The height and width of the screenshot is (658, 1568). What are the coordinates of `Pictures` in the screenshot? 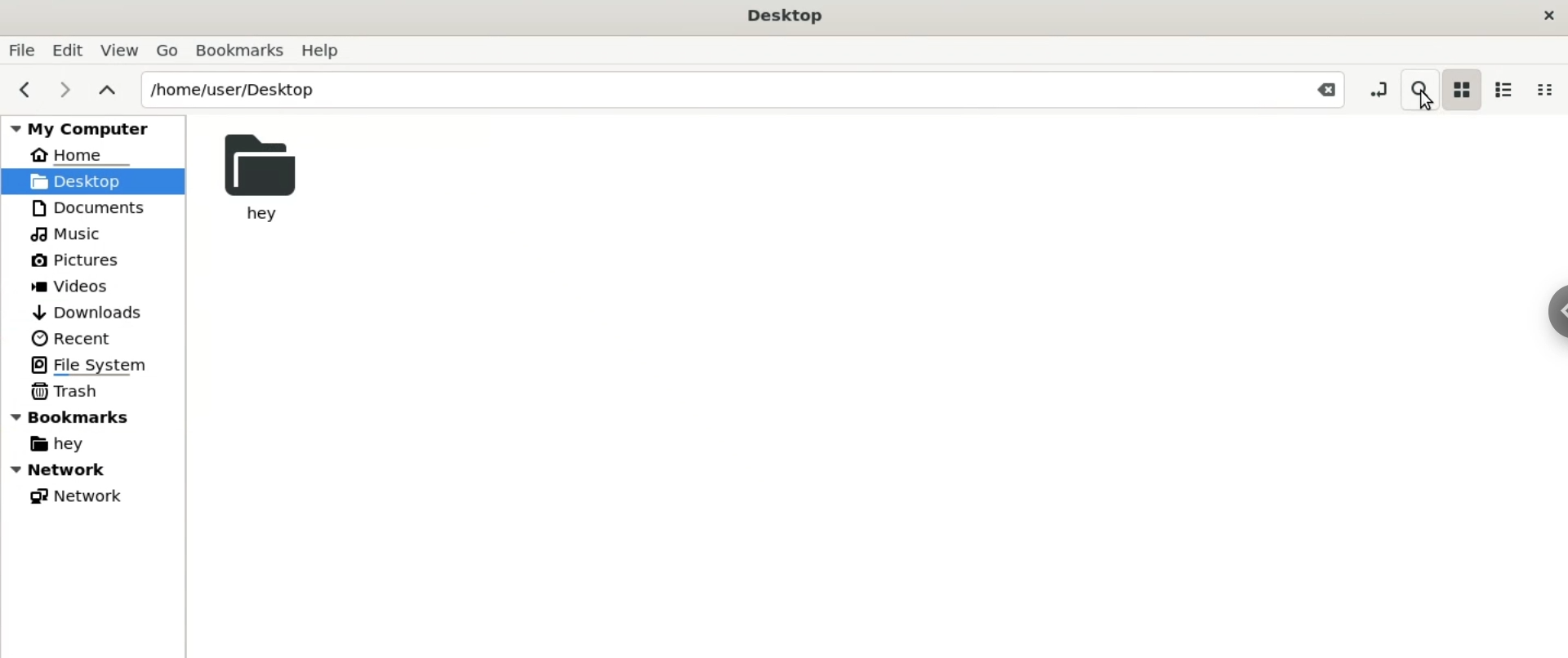 It's located at (73, 261).